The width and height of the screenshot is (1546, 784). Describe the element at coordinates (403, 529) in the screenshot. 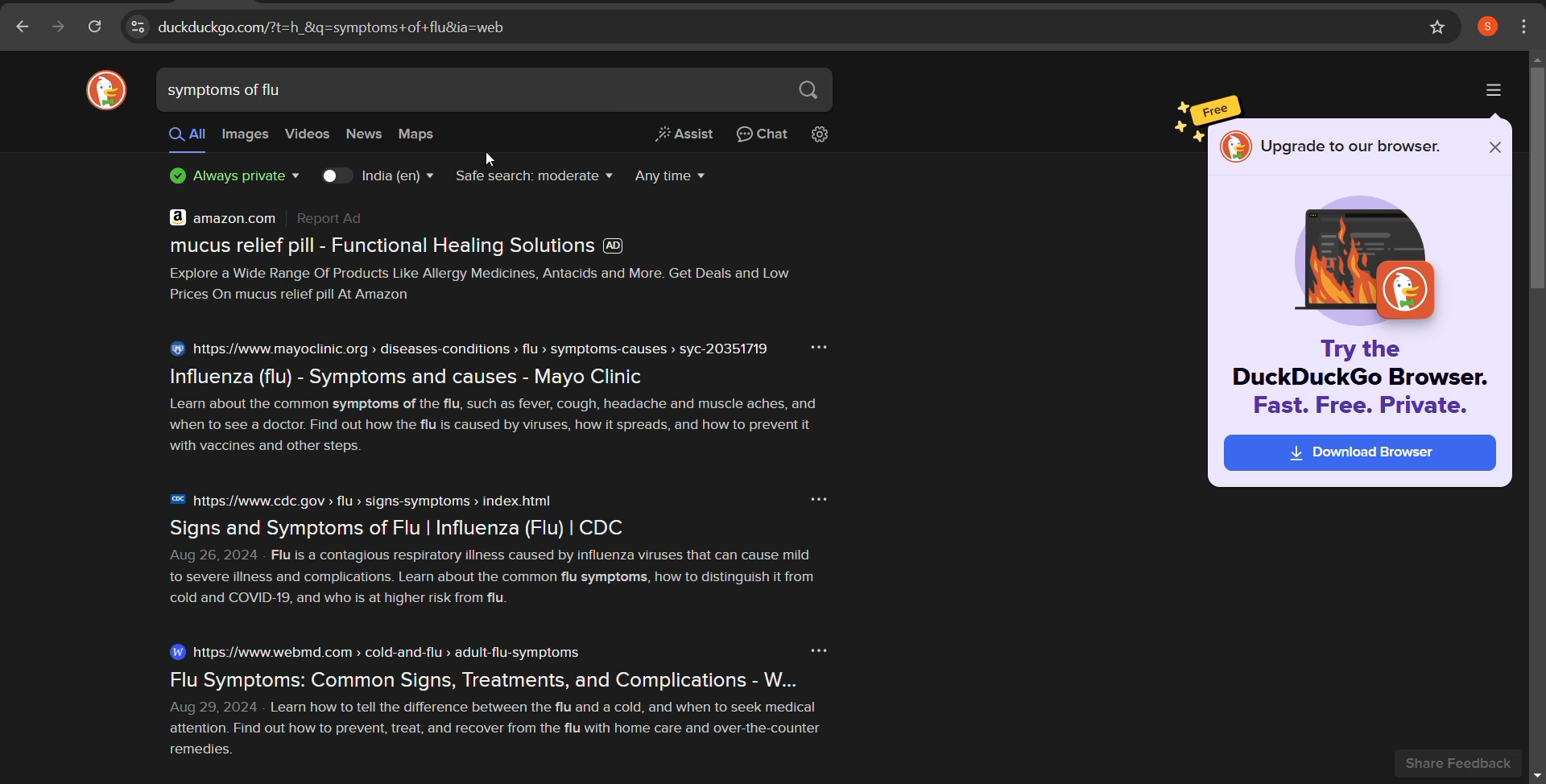

I see `Signs and Symptoms of Flu | Influenza (Flu) | CDC` at that location.